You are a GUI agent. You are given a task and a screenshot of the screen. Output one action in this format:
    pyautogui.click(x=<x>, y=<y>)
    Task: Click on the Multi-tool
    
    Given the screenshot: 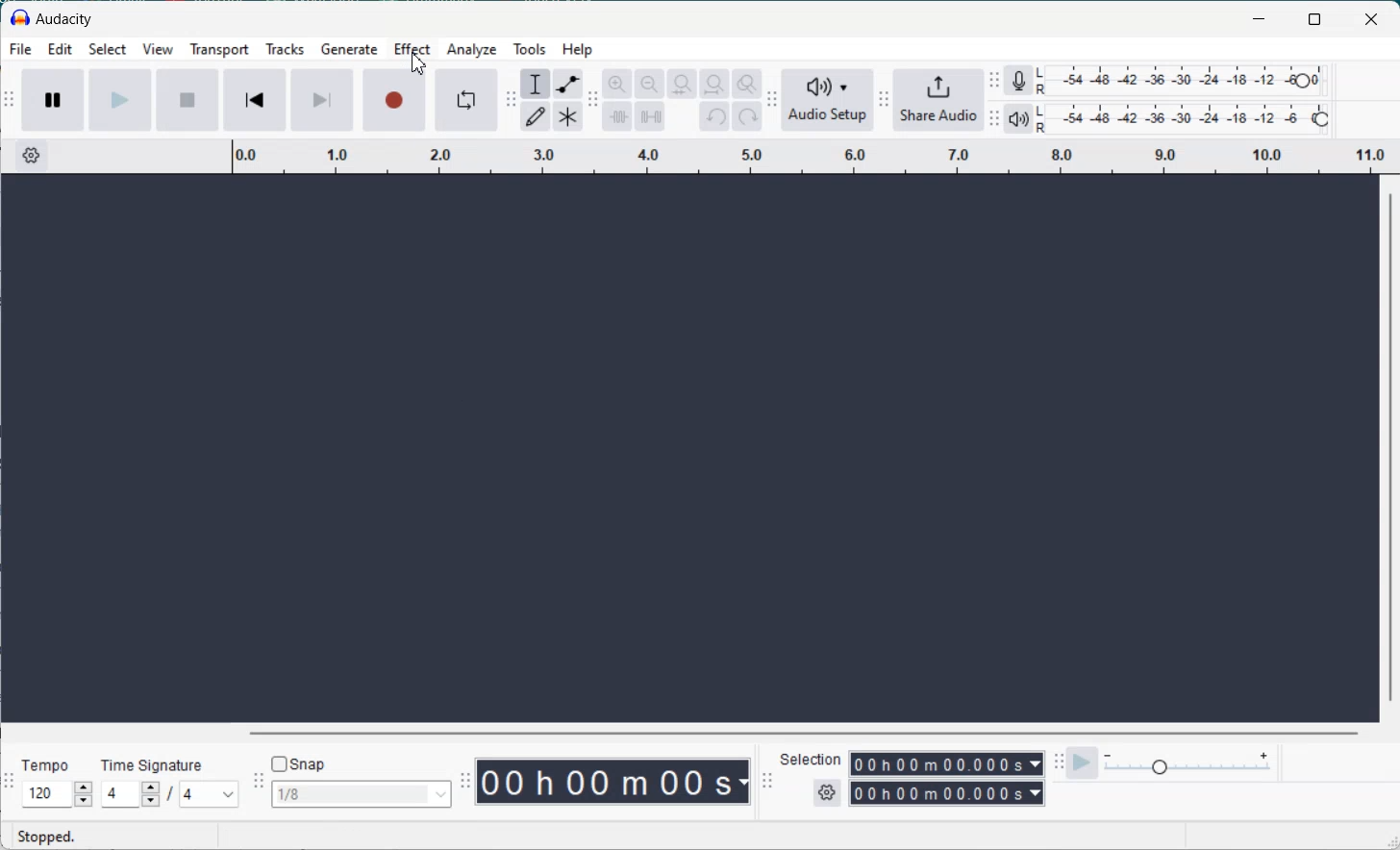 What is the action you would take?
    pyautogui.click(x=568, y=115)
    